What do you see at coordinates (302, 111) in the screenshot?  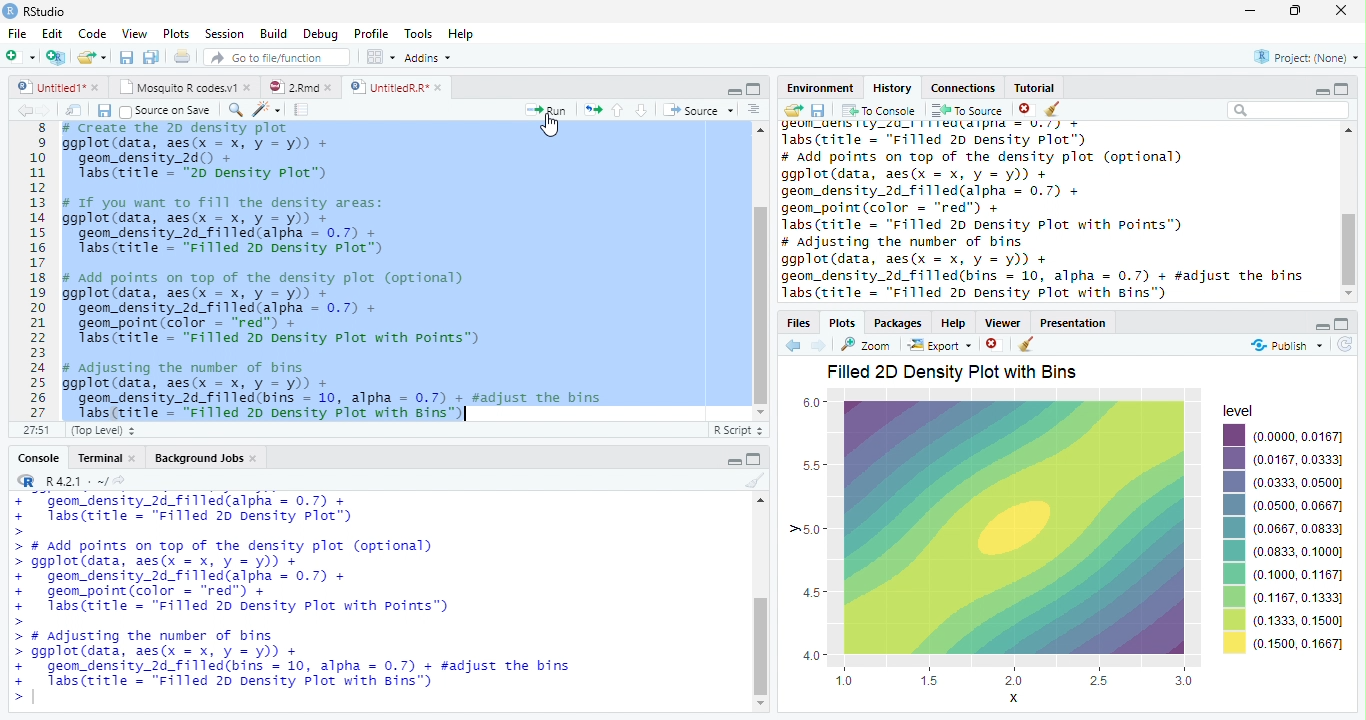 I see `compile report` at bounding box center [302, 111].